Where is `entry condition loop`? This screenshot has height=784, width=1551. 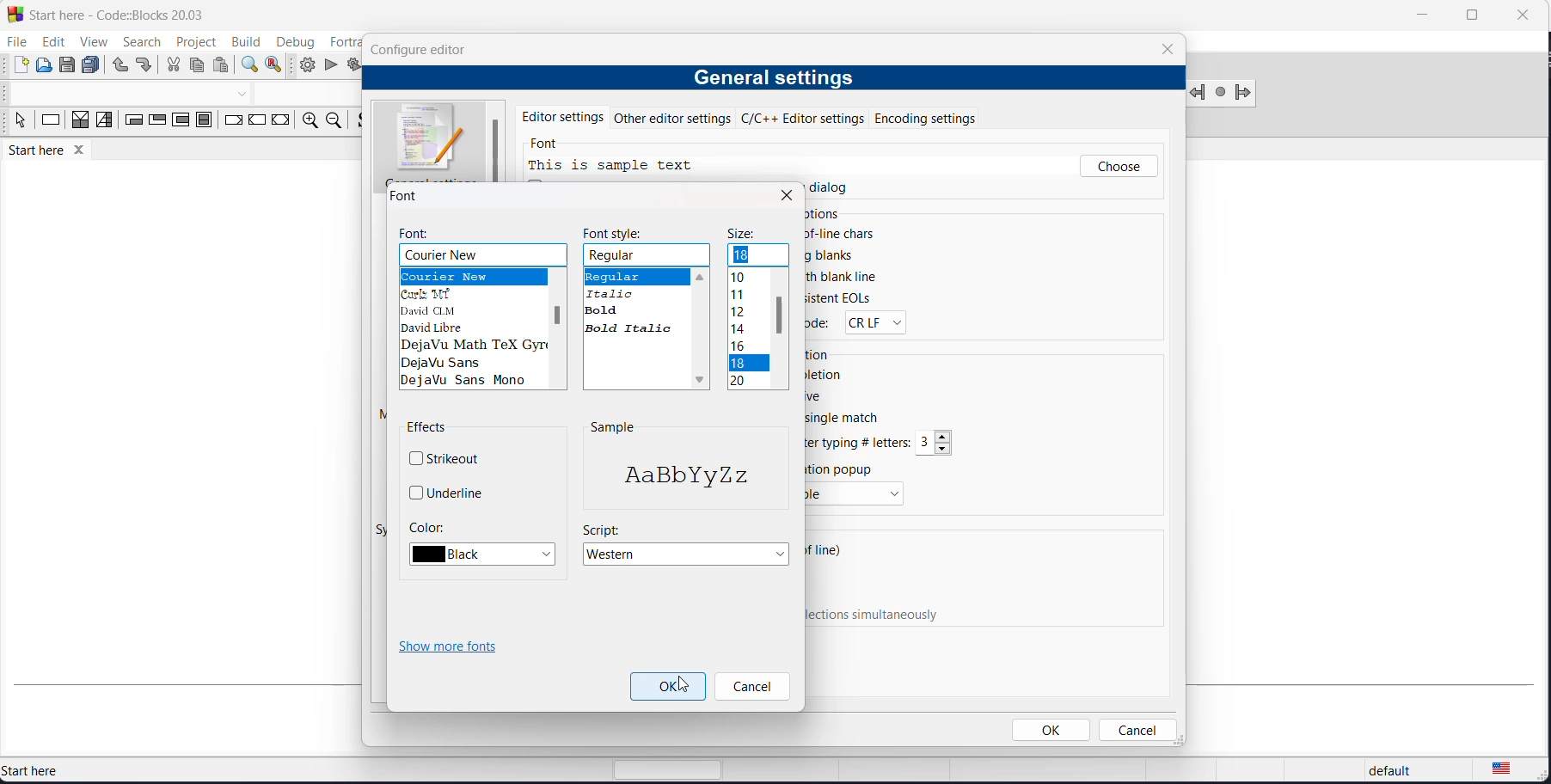
entry condition loop is located at coordinates (128, 123).